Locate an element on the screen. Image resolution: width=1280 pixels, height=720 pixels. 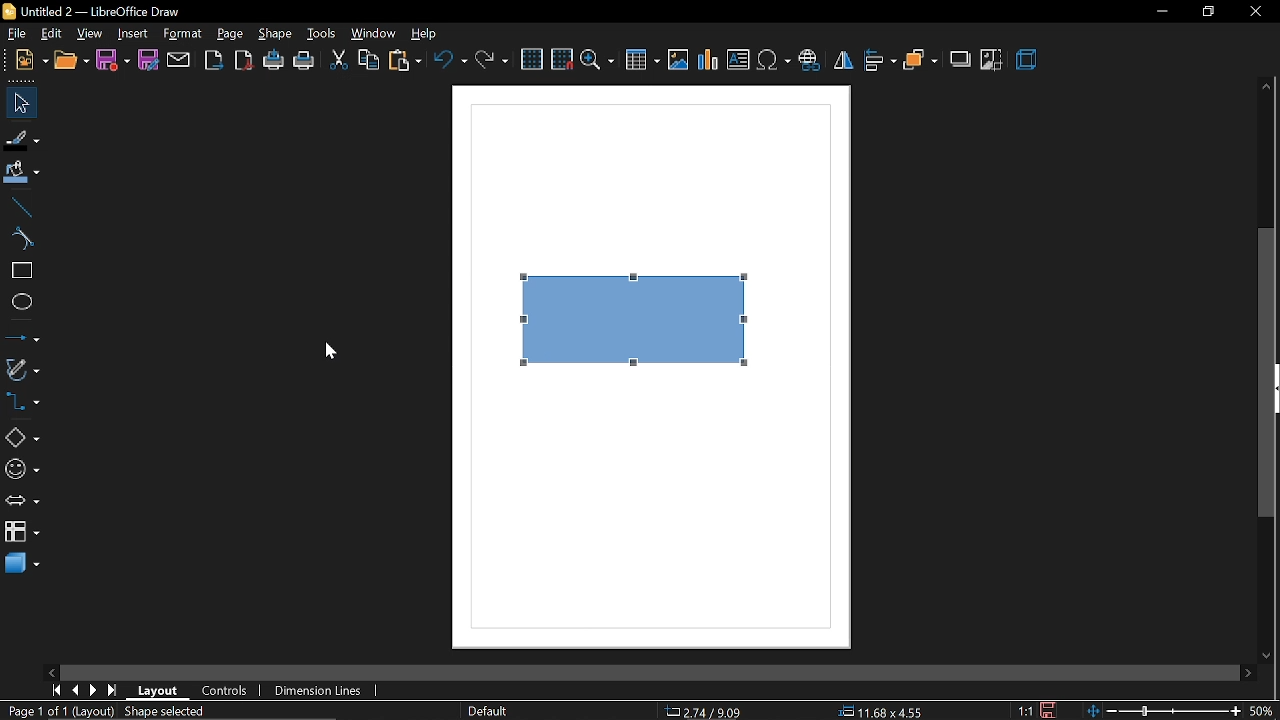
arrows is located at coordinates (22, 501).